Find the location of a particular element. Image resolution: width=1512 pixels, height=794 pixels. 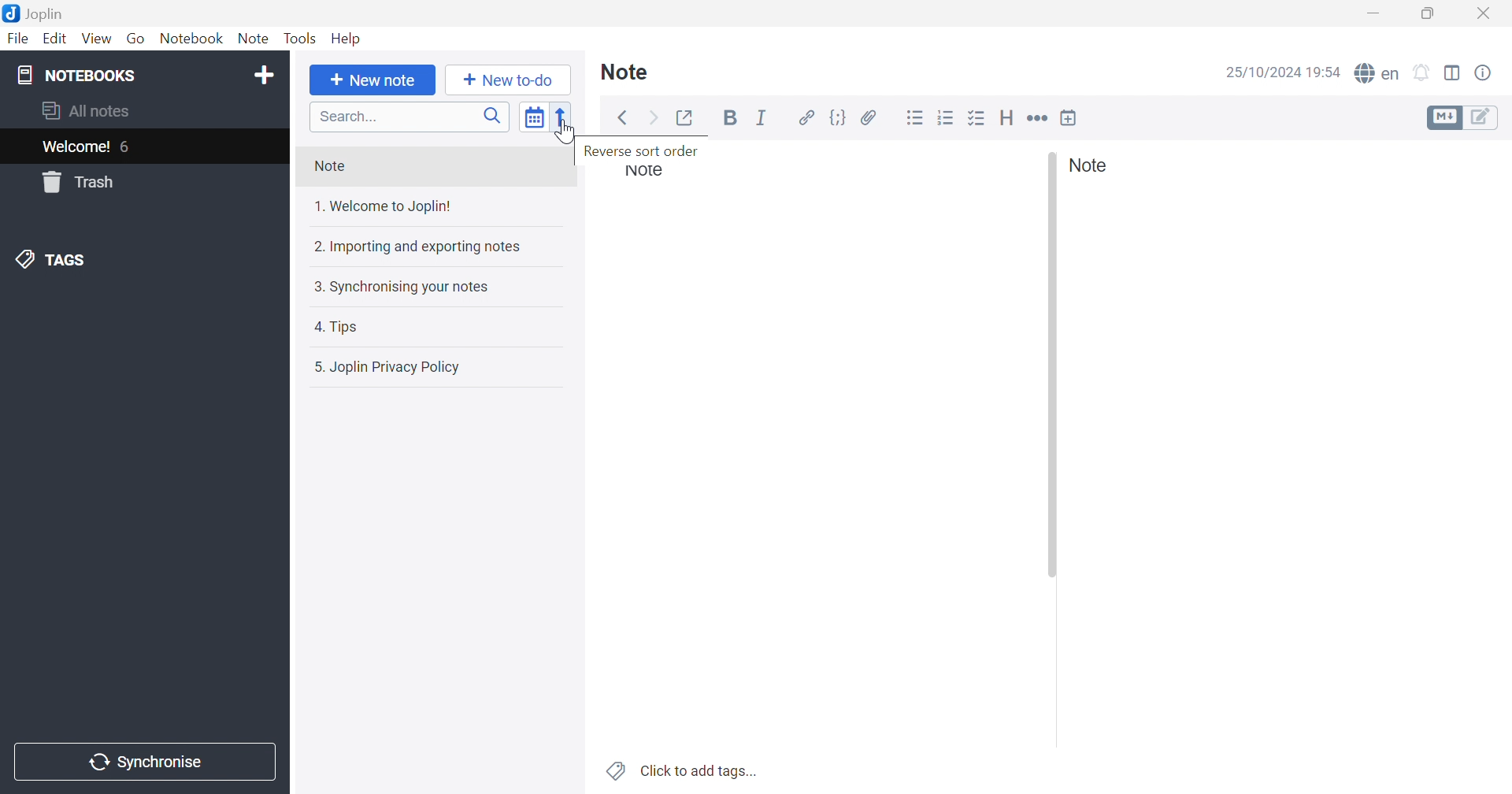

Toggle external editing is located at coordinates (689, 117).